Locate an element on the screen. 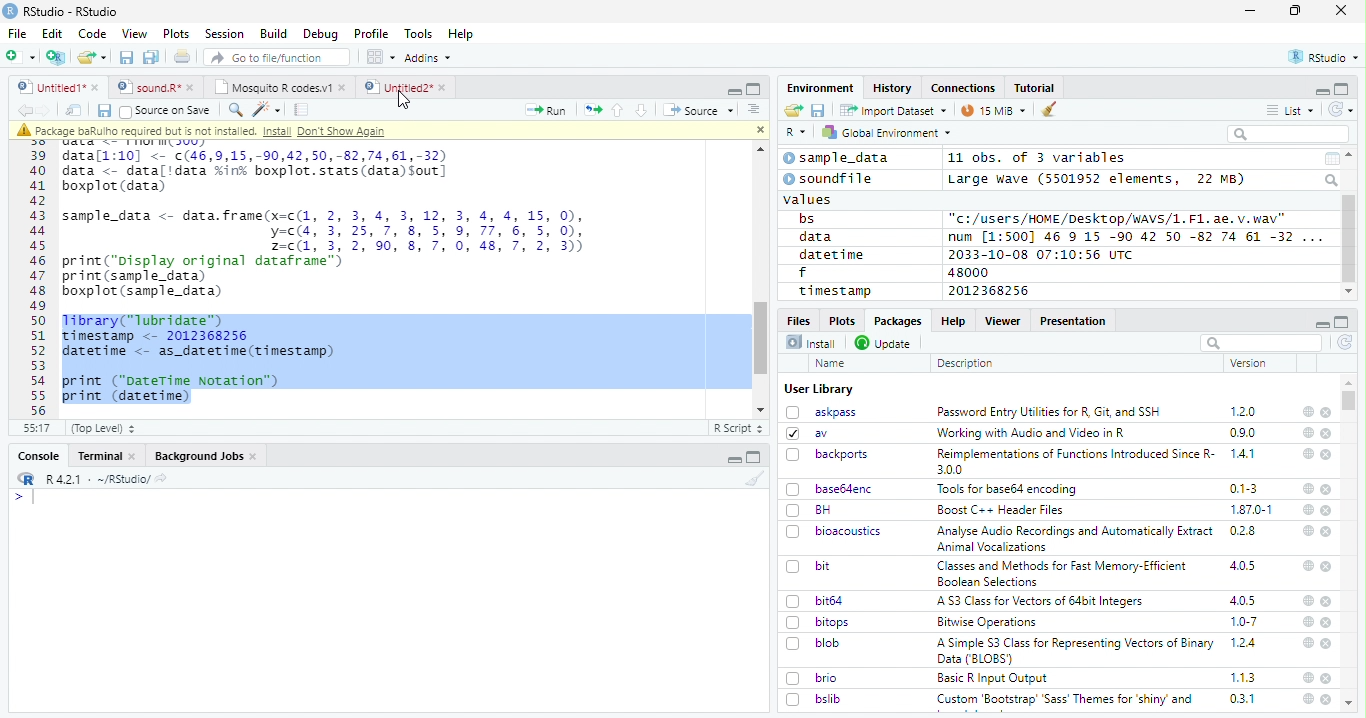 Image resolution: width=1366 pixels, height=718 pixels. Session is located at coordinates (223, 34).